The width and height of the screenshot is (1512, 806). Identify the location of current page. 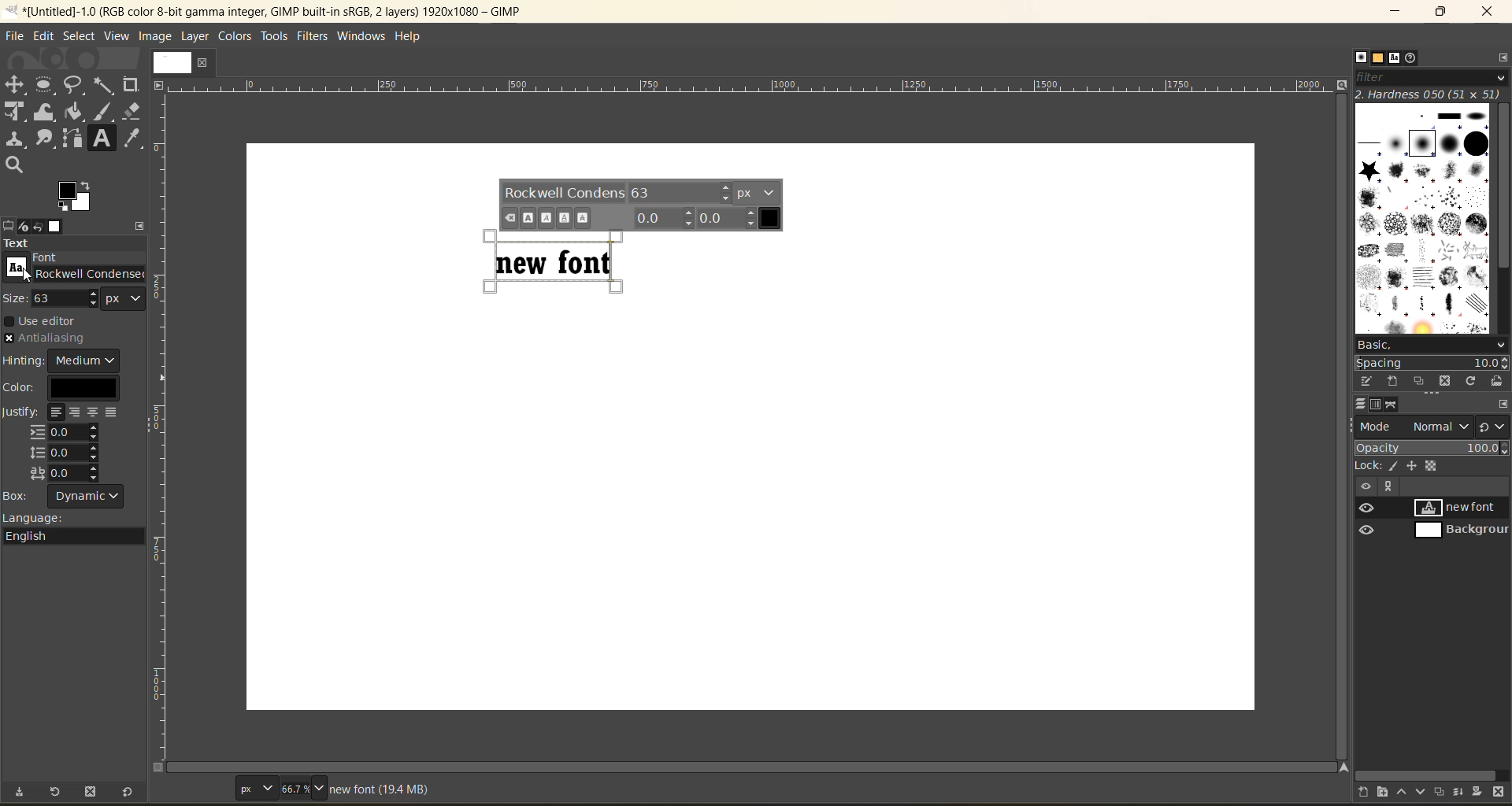
(183, 61).